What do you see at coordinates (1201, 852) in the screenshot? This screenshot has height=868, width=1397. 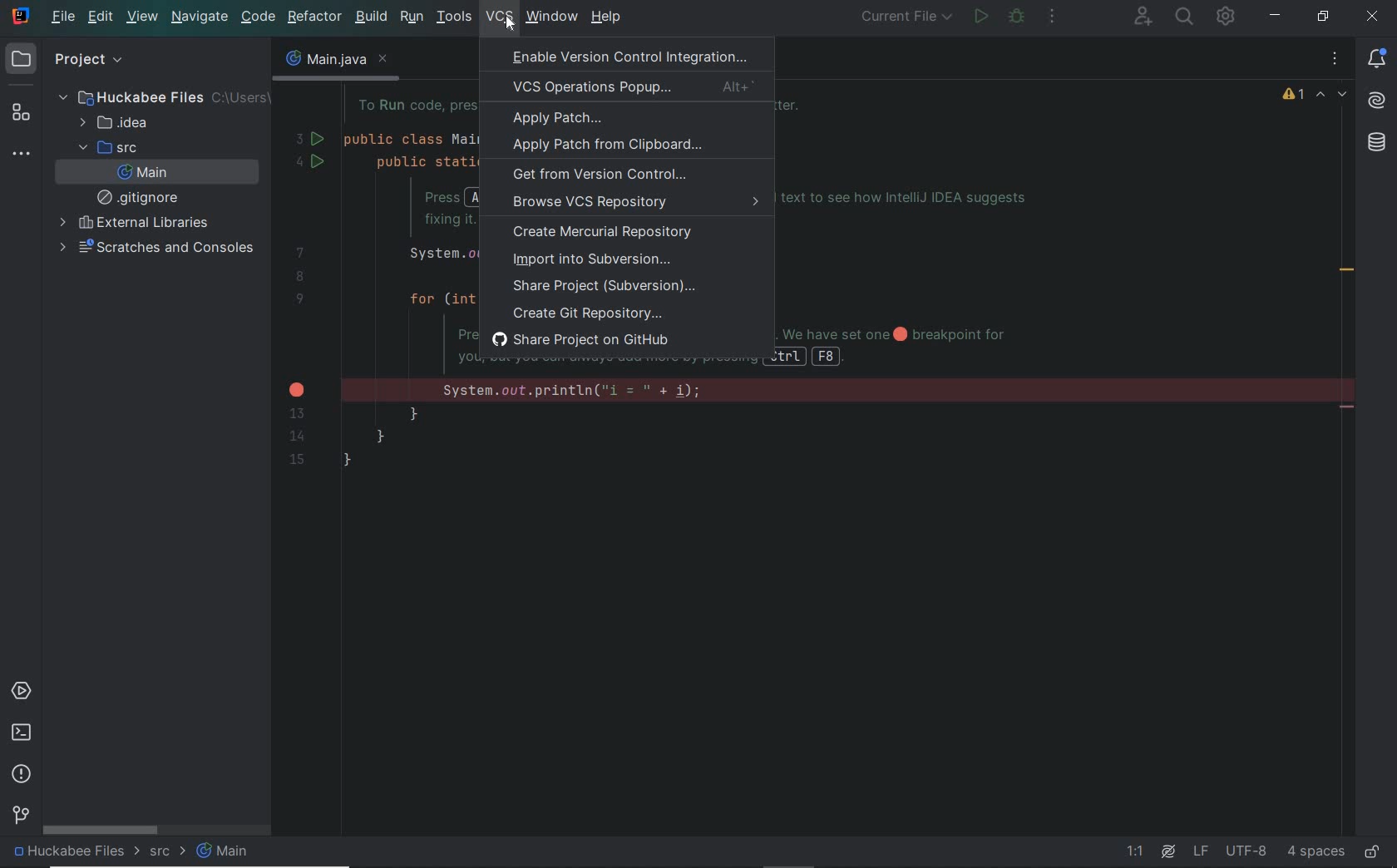 I see `line separator` at bounding box center [1201, 852].